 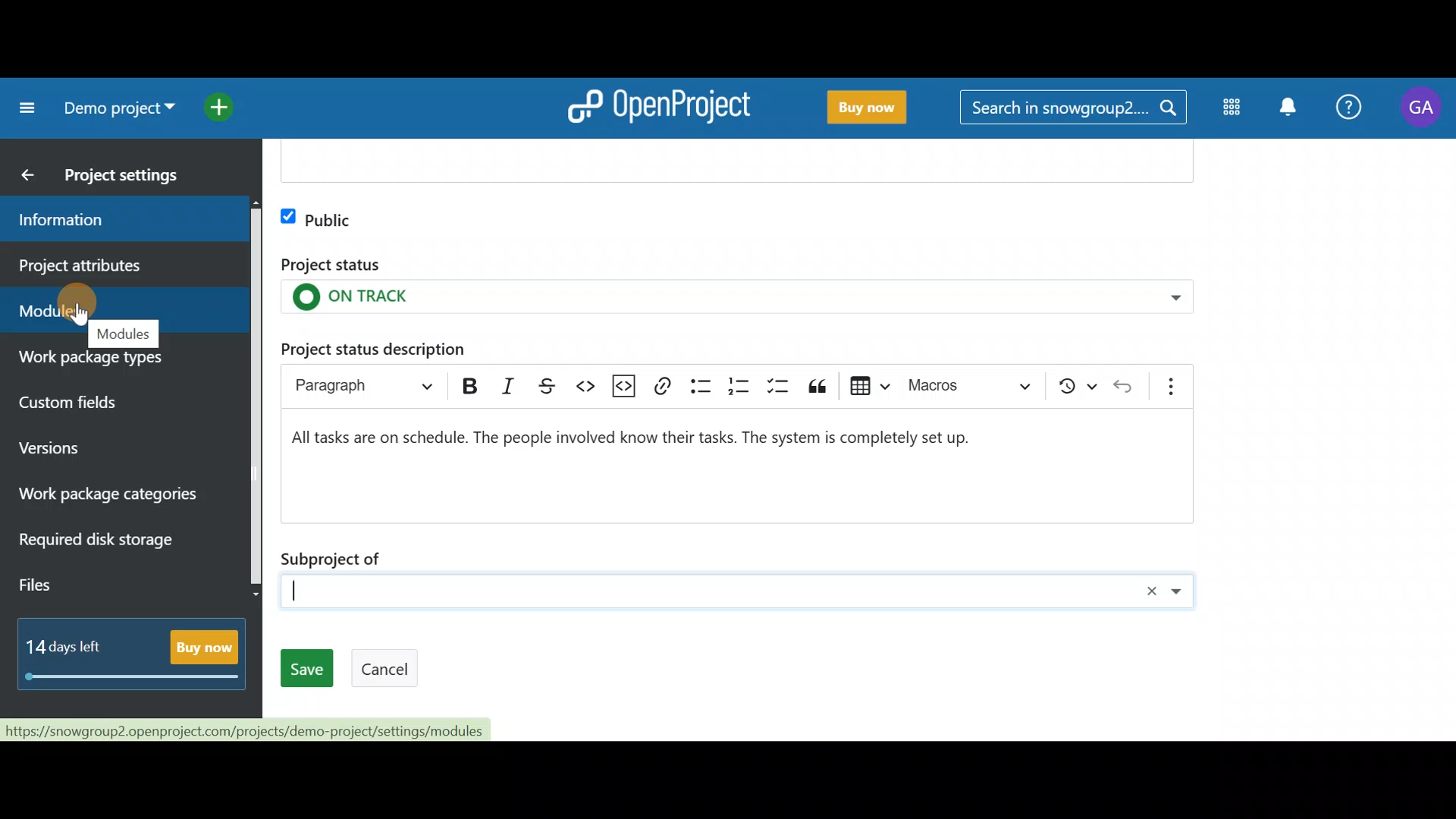 I want to click on Custom fields, so click(x=102, y=407).